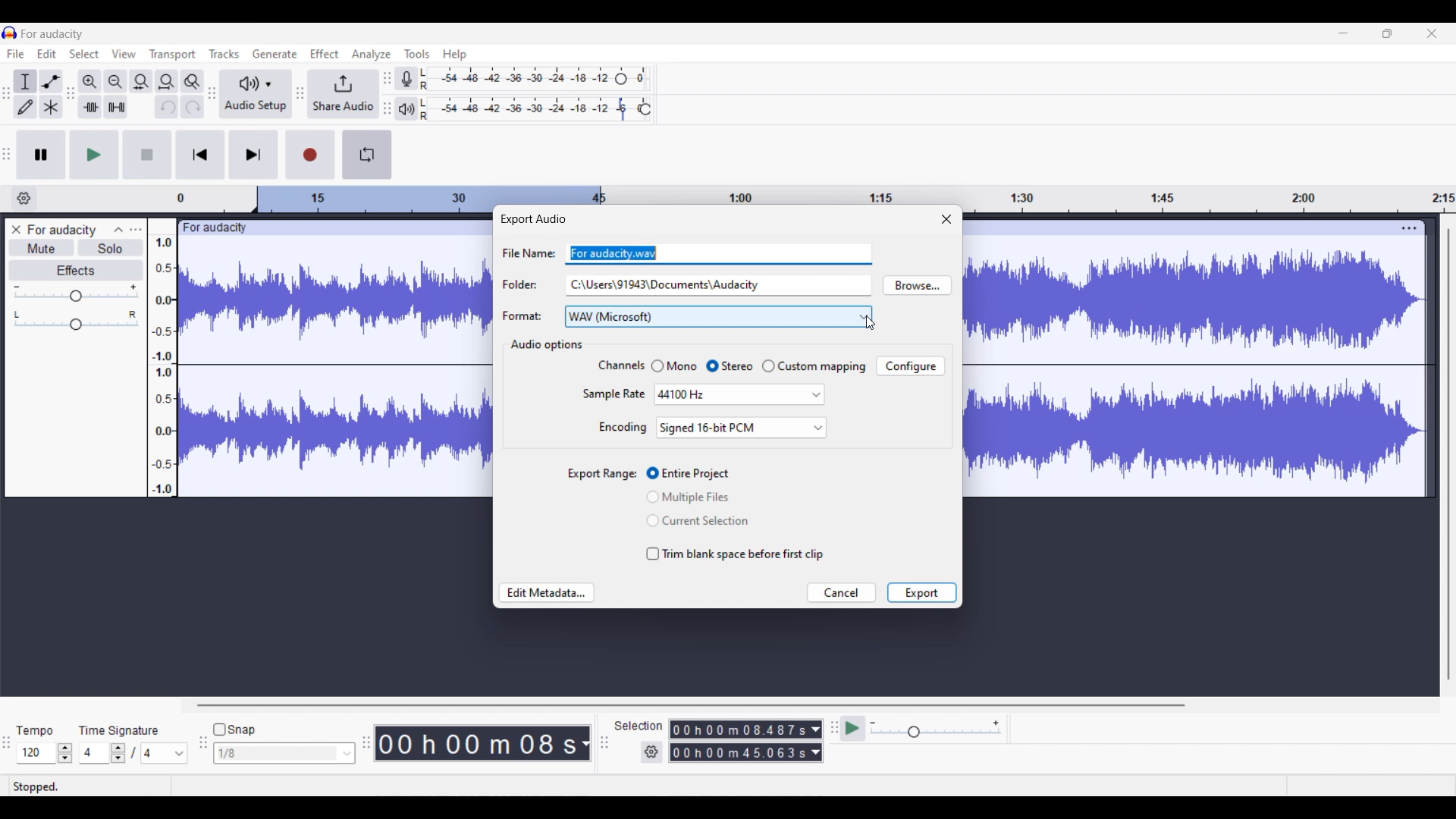 The width and height of the screenshot is (1456, 819). What do you see at coordinates (65, 753) in the screenshot?
I see `Increase/Decrease tempo` at bounding box center [65, 753].